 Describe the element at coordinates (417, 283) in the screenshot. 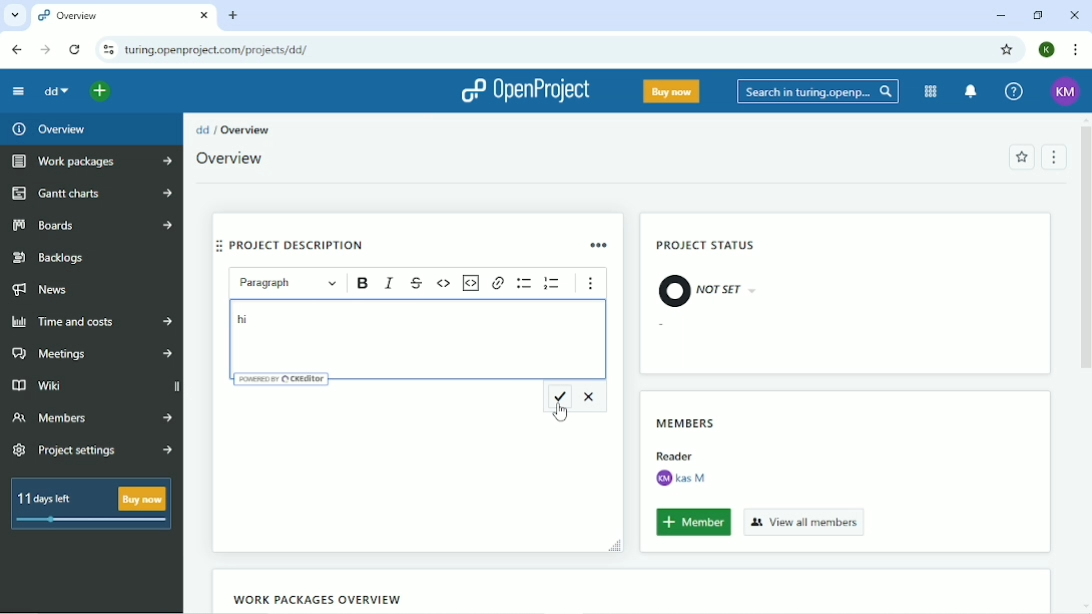

I see `Strikethrough` at that location.